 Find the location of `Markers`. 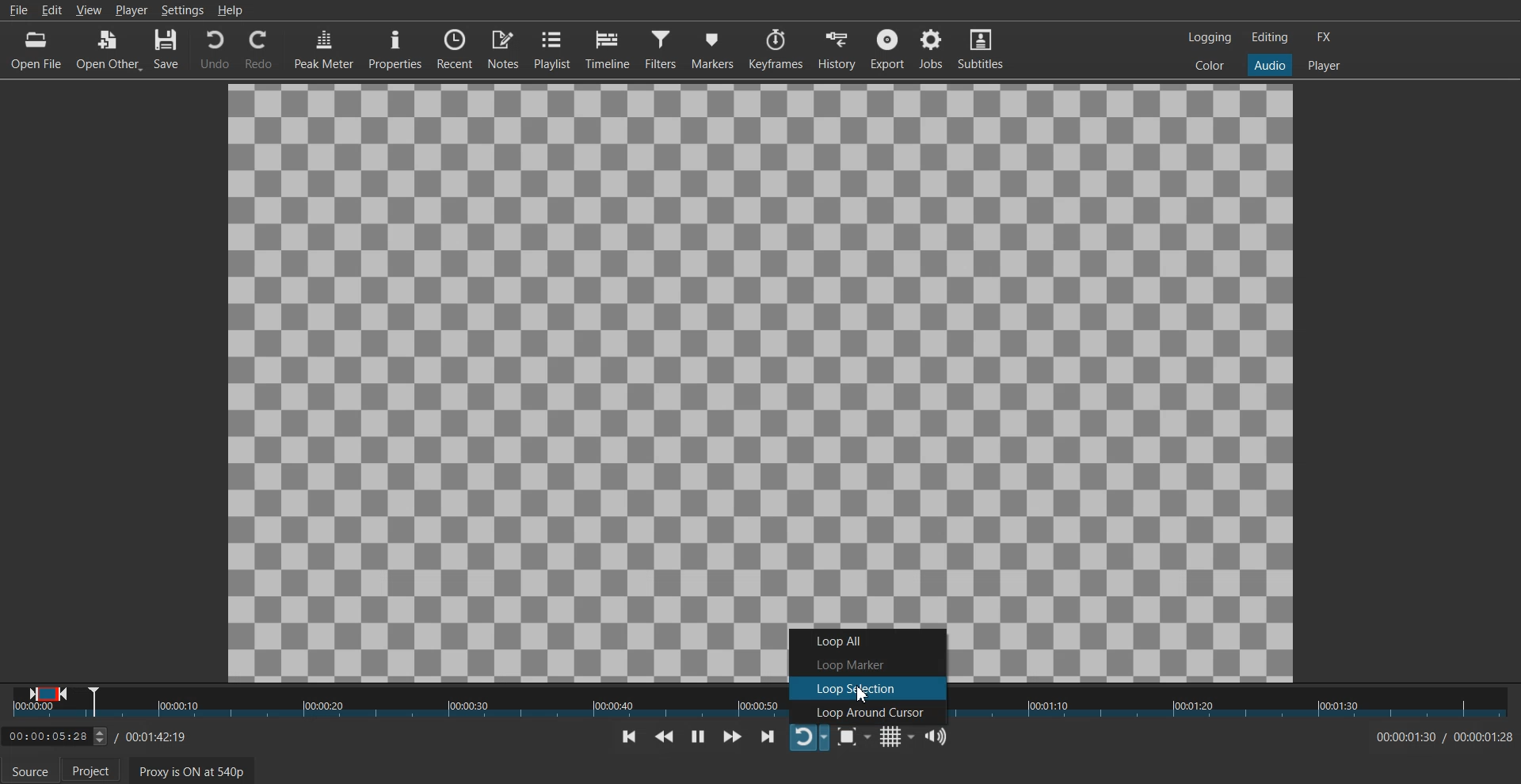

Markers is located at coordinates (712, 49).